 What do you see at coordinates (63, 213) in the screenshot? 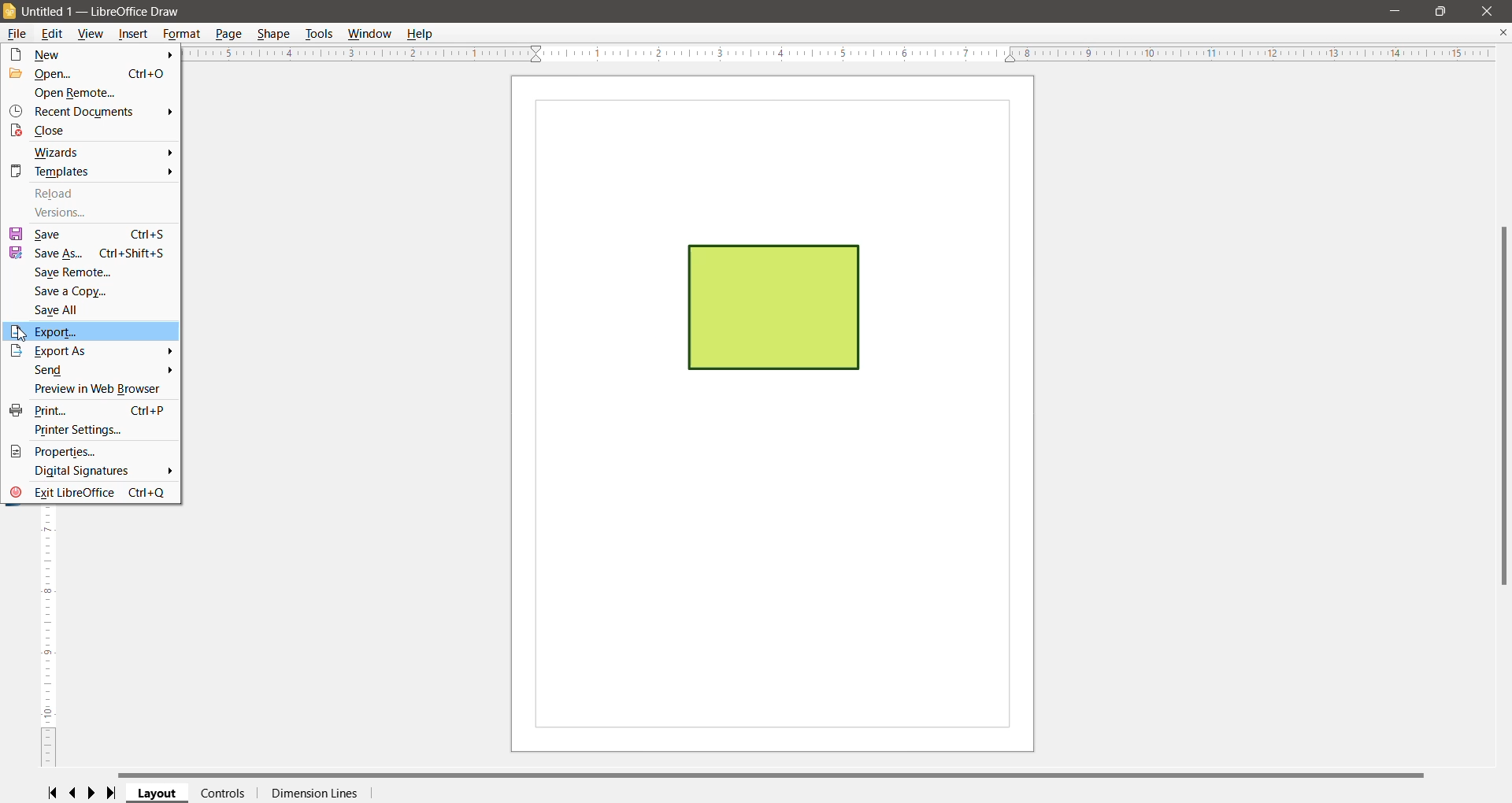
I see `Versions` at bounding box center [63, 213].